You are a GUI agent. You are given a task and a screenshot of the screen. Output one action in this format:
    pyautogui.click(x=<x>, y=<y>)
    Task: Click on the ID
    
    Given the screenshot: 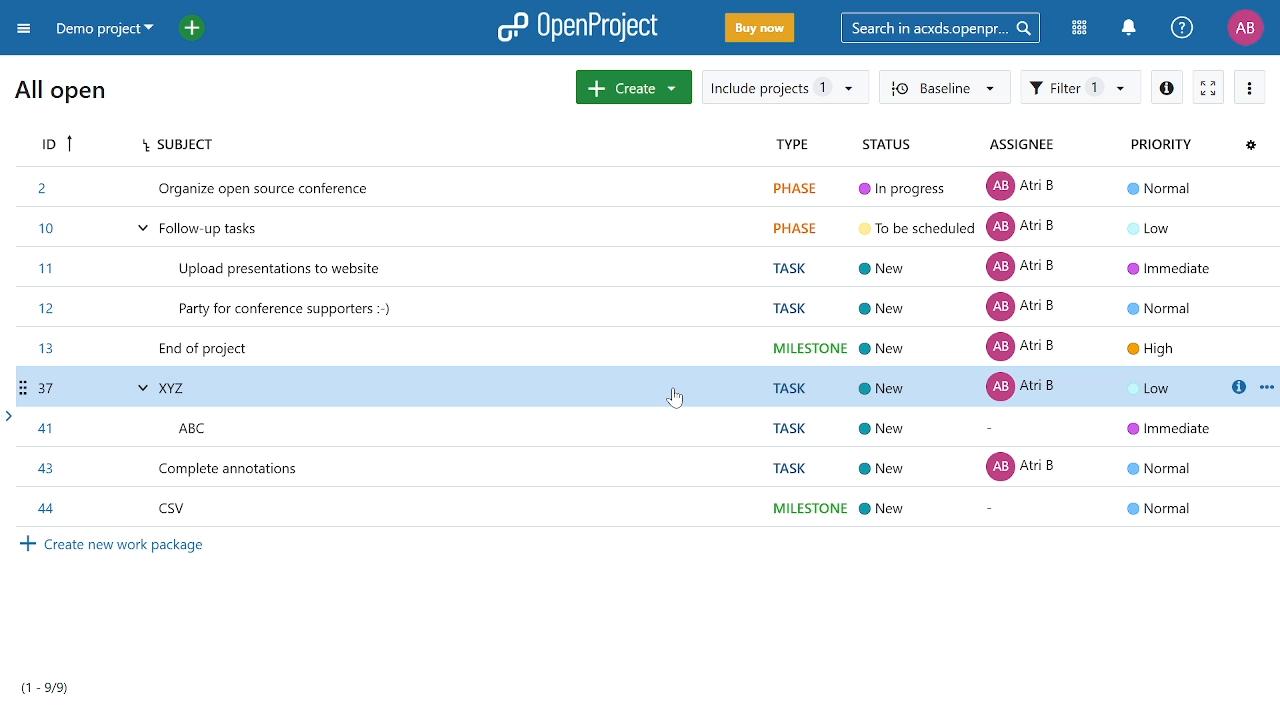 What is the action you would take?
    pyautogui.click(x=50, y=146)
    